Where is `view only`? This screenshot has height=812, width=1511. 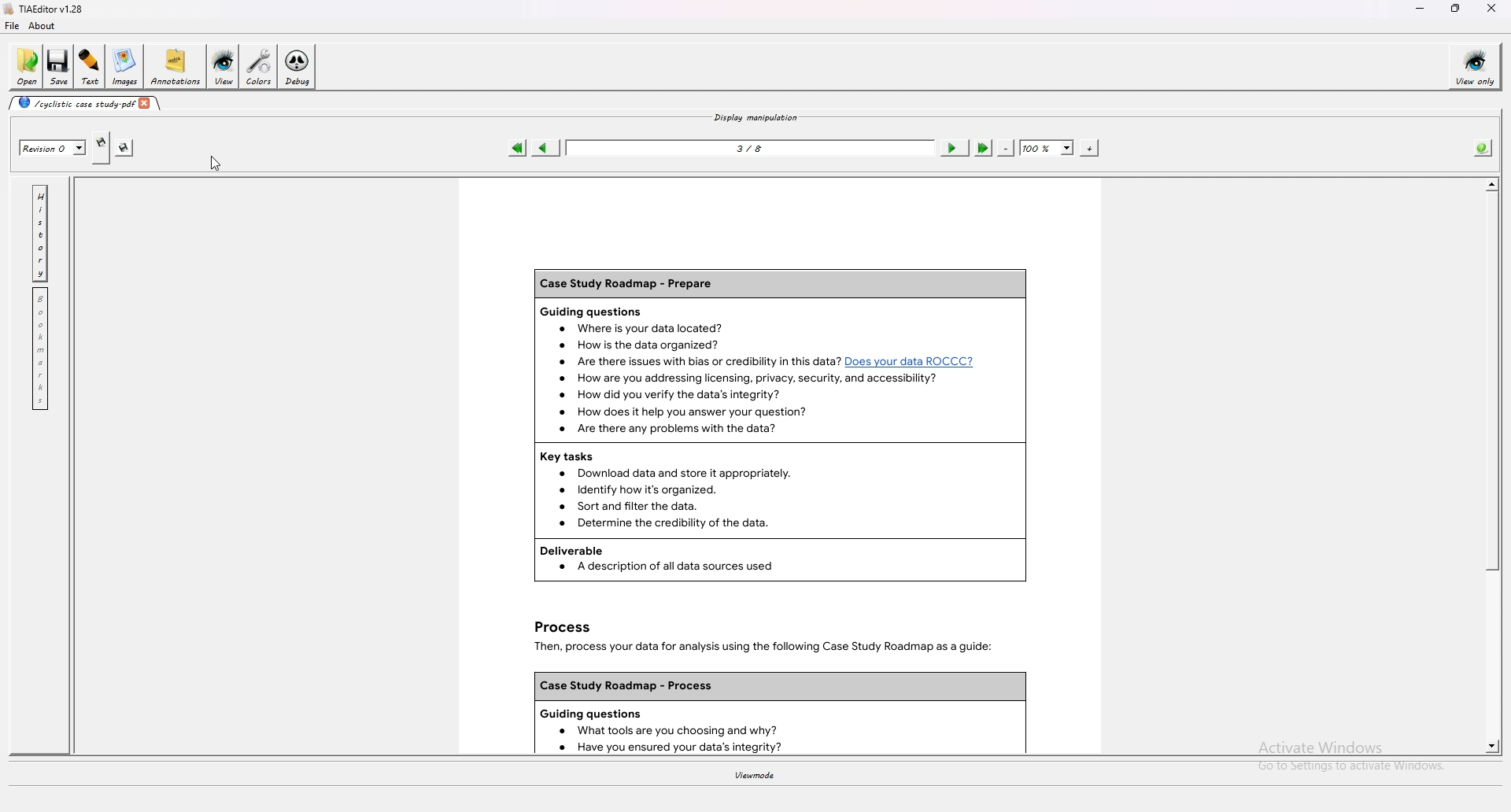
view only is located at coordinates (1475, 66).